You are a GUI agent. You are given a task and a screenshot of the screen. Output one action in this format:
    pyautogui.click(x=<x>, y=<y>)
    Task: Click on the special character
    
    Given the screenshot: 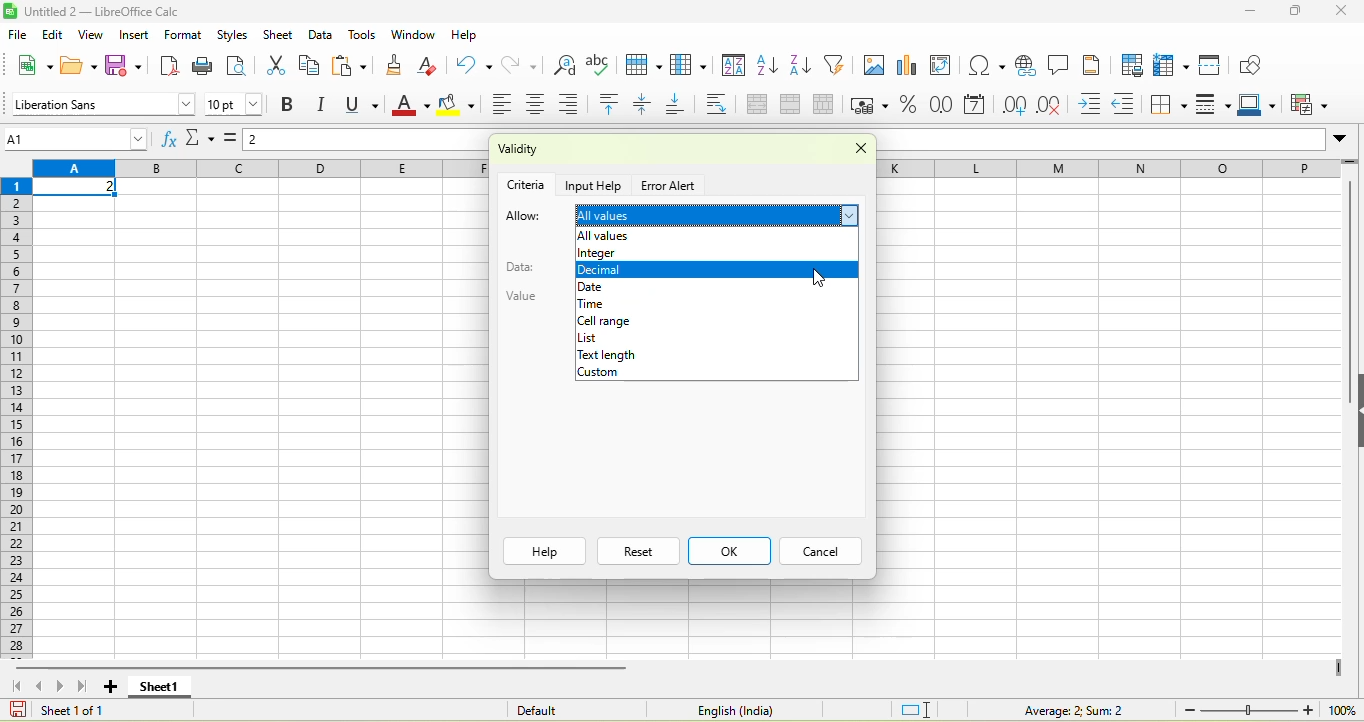 What is the action you would take?
    pyautogui.click(x=983, y=65)
    